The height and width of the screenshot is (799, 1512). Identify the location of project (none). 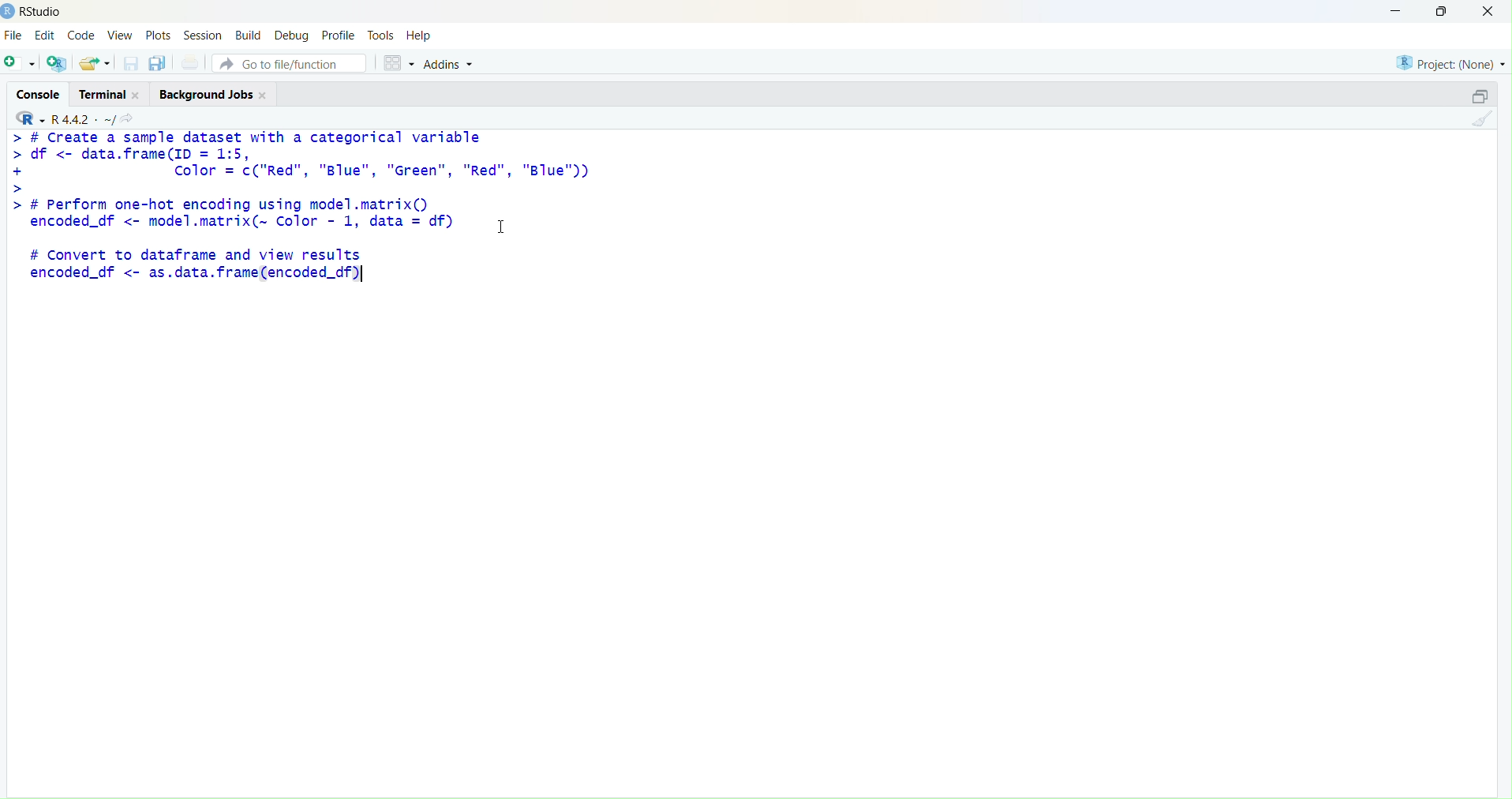
(1451, 63).